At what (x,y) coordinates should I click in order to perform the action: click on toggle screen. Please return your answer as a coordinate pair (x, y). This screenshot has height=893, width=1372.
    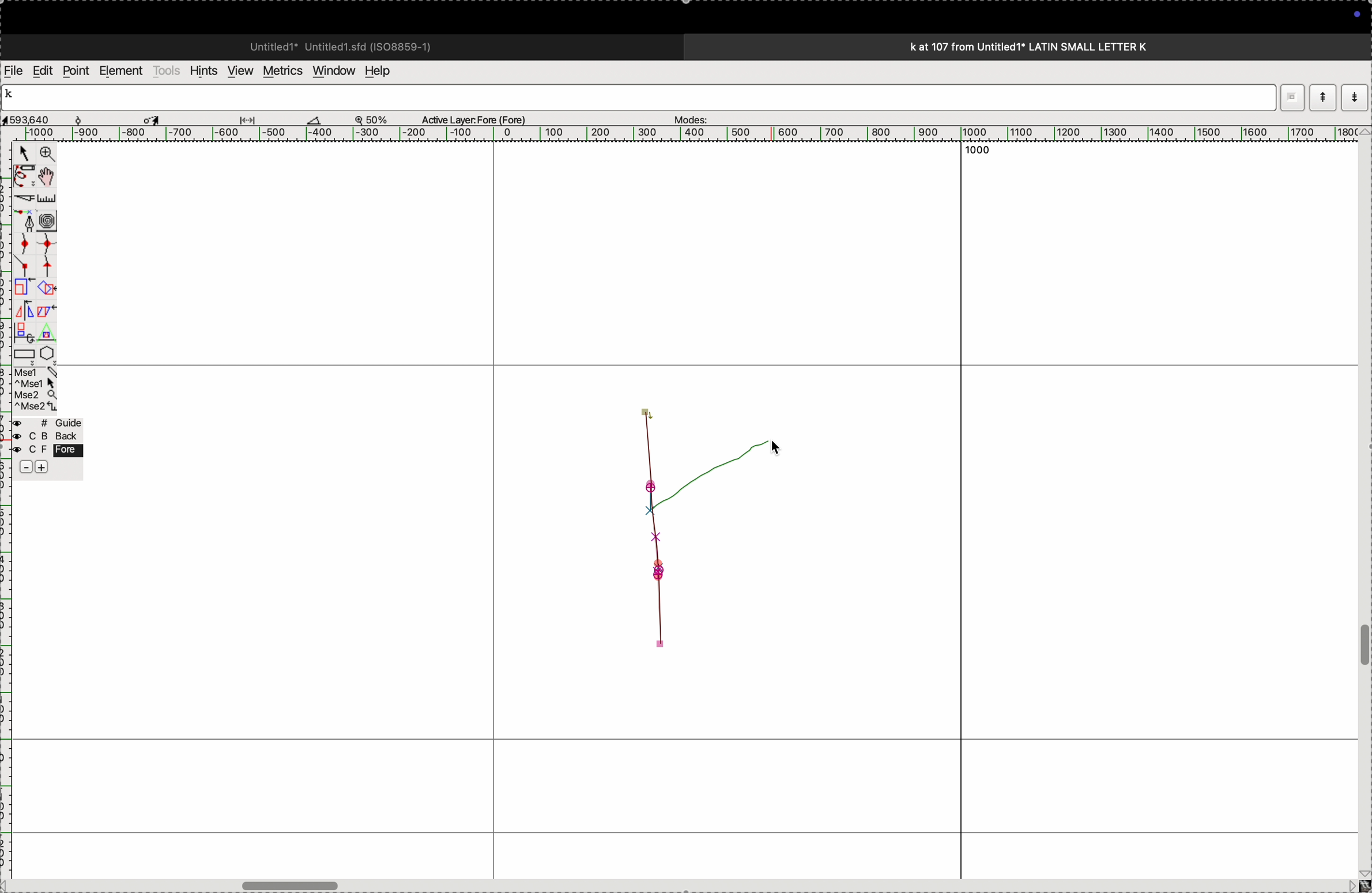
    Looking at the image, I should click on (293, 884).